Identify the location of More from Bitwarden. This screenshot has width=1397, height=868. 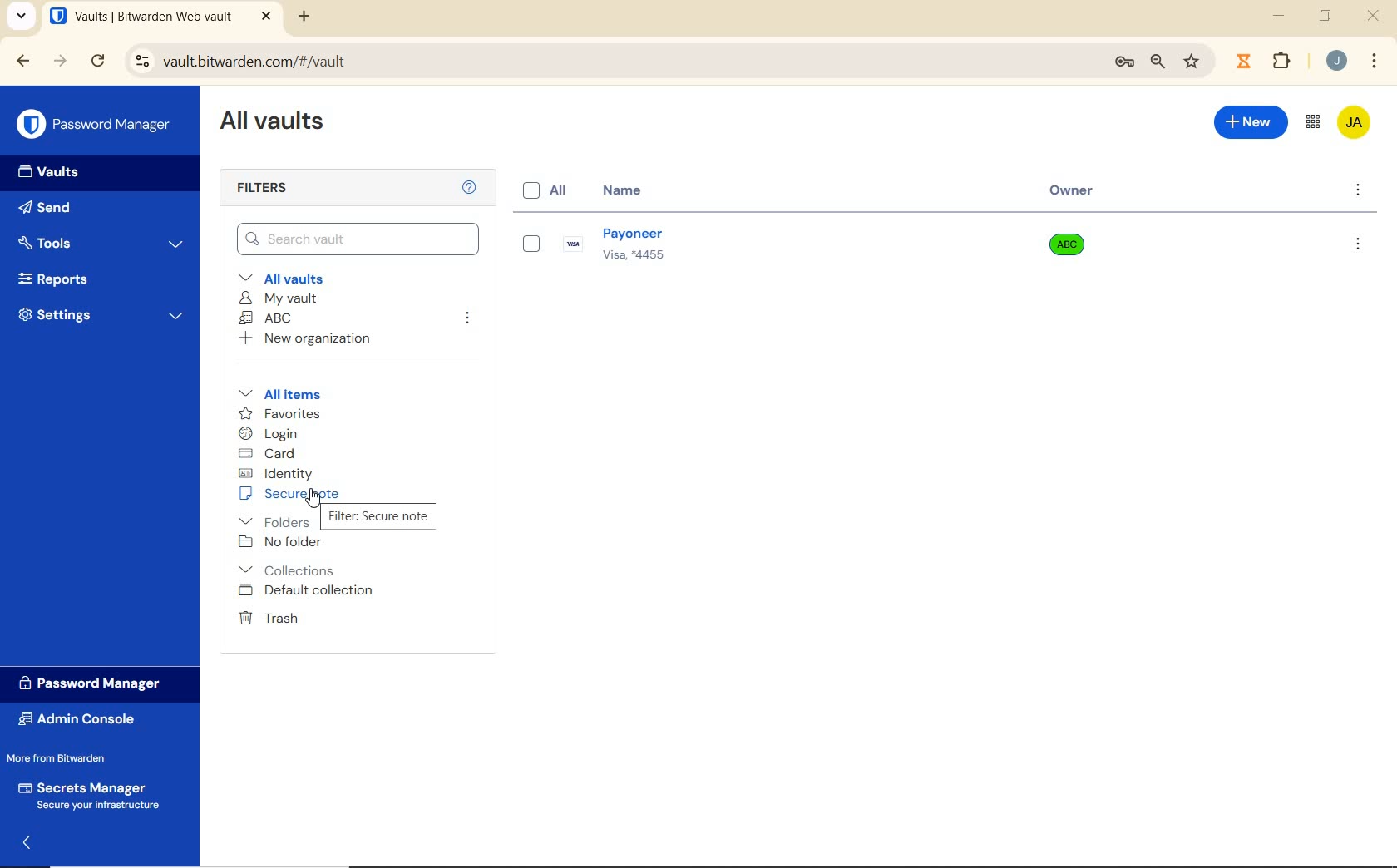
(67, 757).